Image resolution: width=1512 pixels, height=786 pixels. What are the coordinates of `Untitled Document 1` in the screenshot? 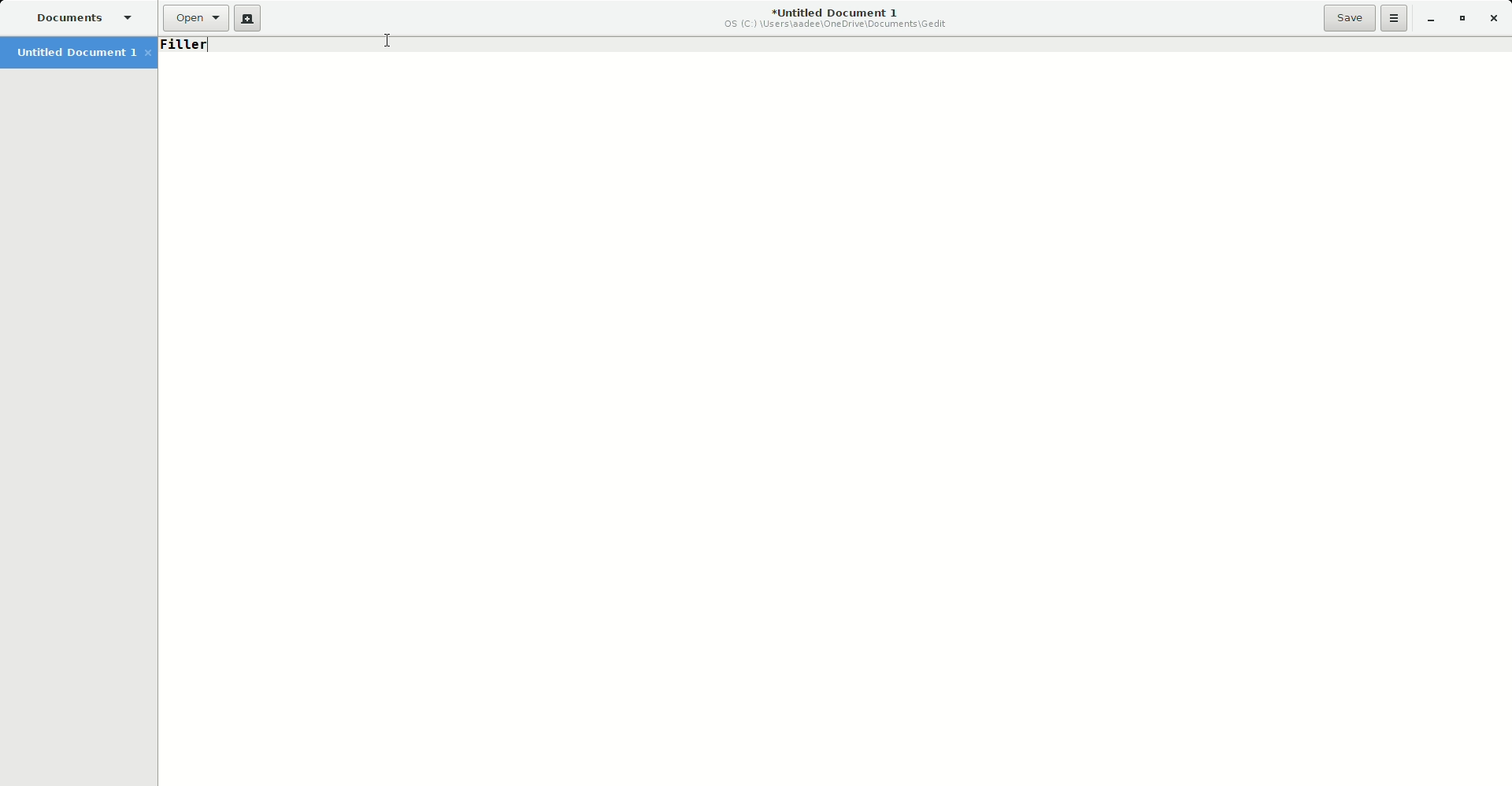 It's located at (837, 20).